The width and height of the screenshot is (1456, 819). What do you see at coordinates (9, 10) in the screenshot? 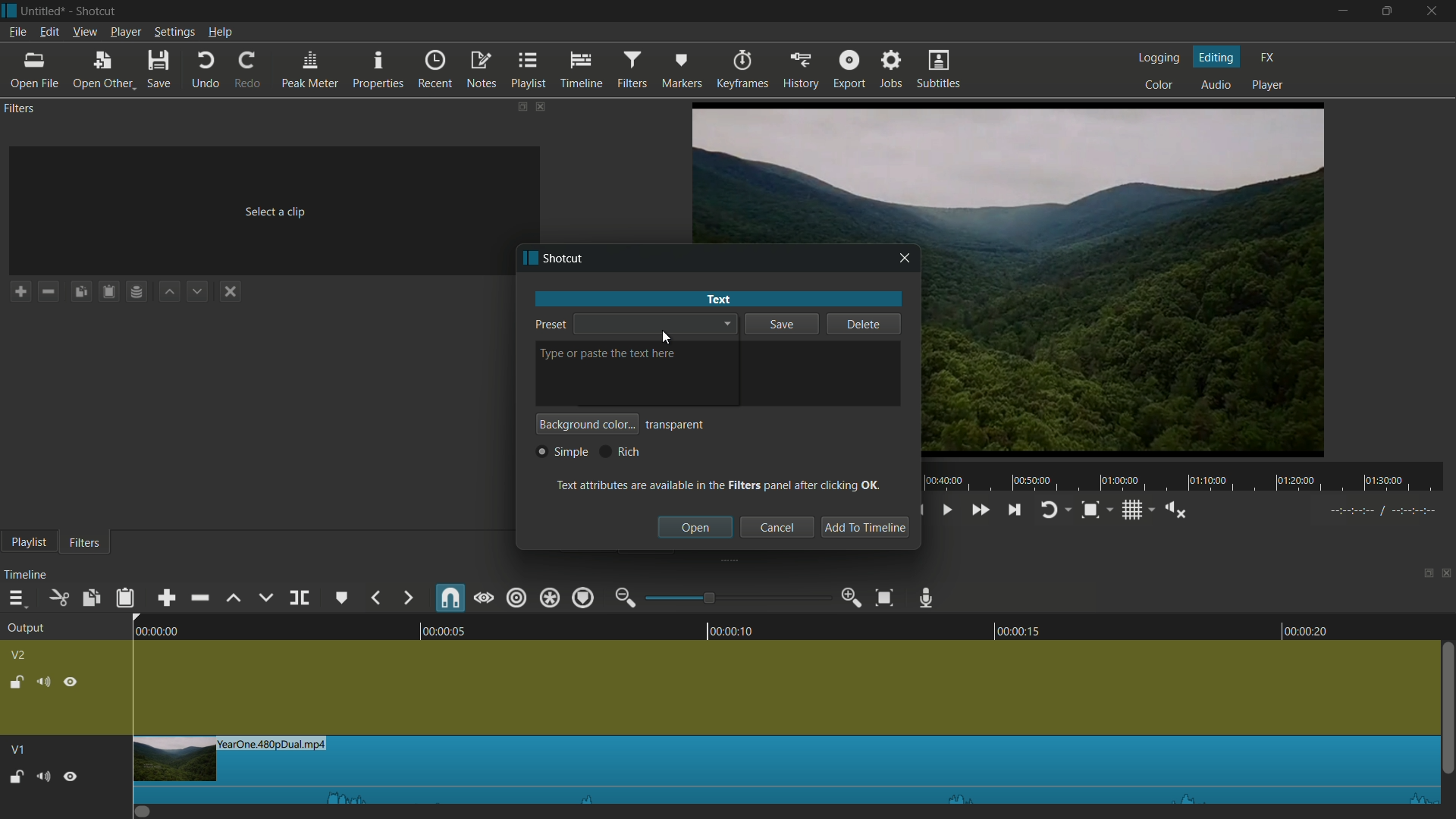
I see `app icon` at bounding box center [9, 10].